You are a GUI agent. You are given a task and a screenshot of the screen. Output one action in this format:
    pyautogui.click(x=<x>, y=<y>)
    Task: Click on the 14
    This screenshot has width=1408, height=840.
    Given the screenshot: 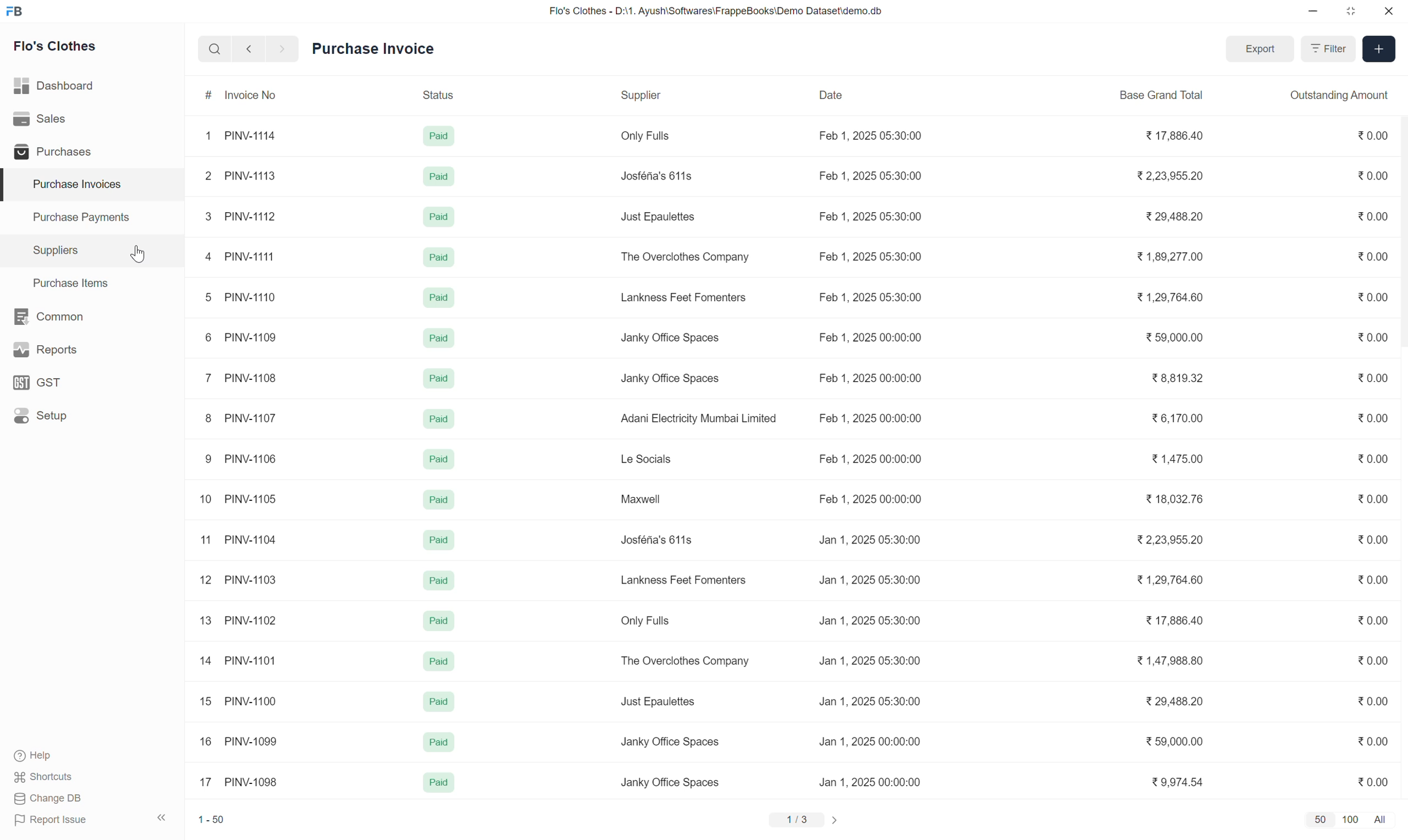 What is the action you would take?
    pyautogui.click(x=206, y=661)
    